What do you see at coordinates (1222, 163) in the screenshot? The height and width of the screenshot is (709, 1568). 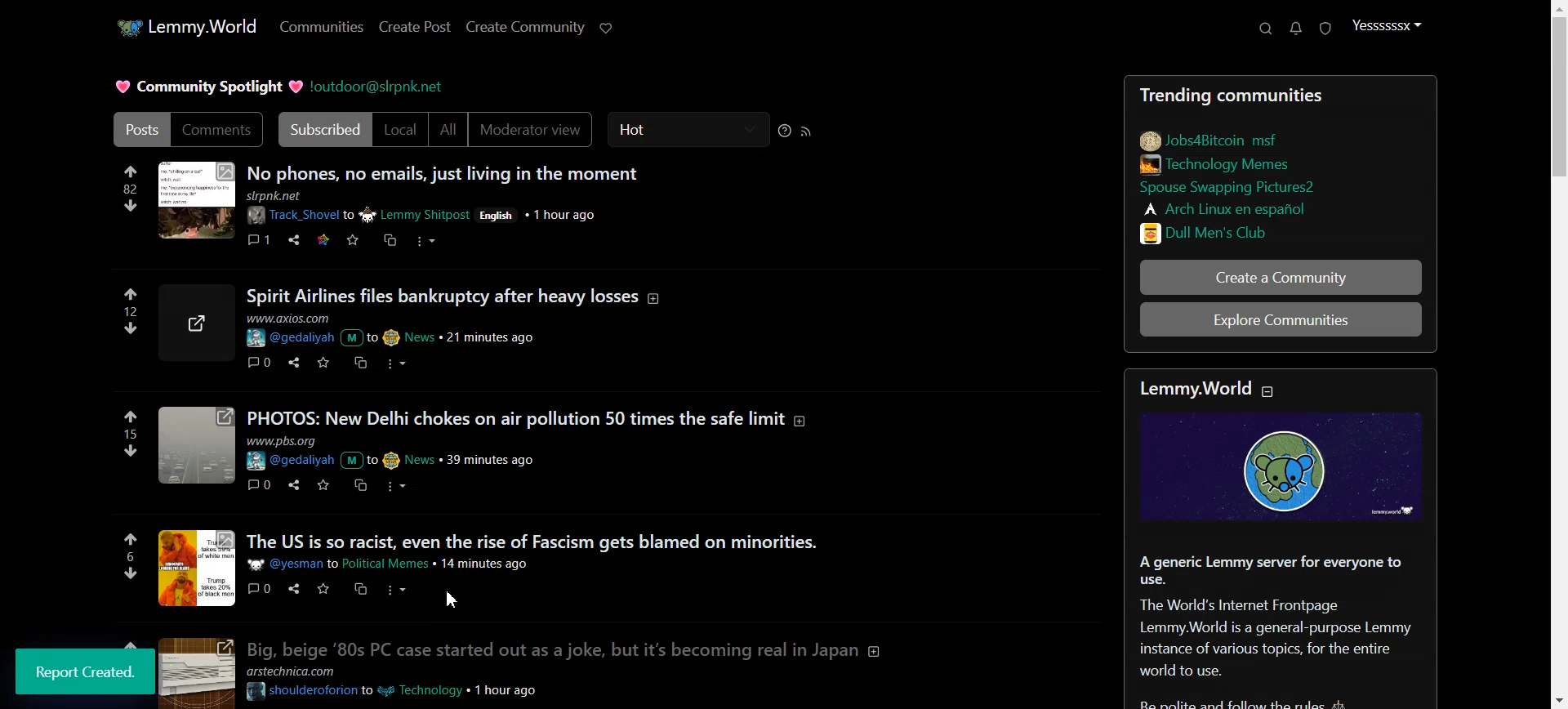 I see `link` at bounding box center [1222, 163].